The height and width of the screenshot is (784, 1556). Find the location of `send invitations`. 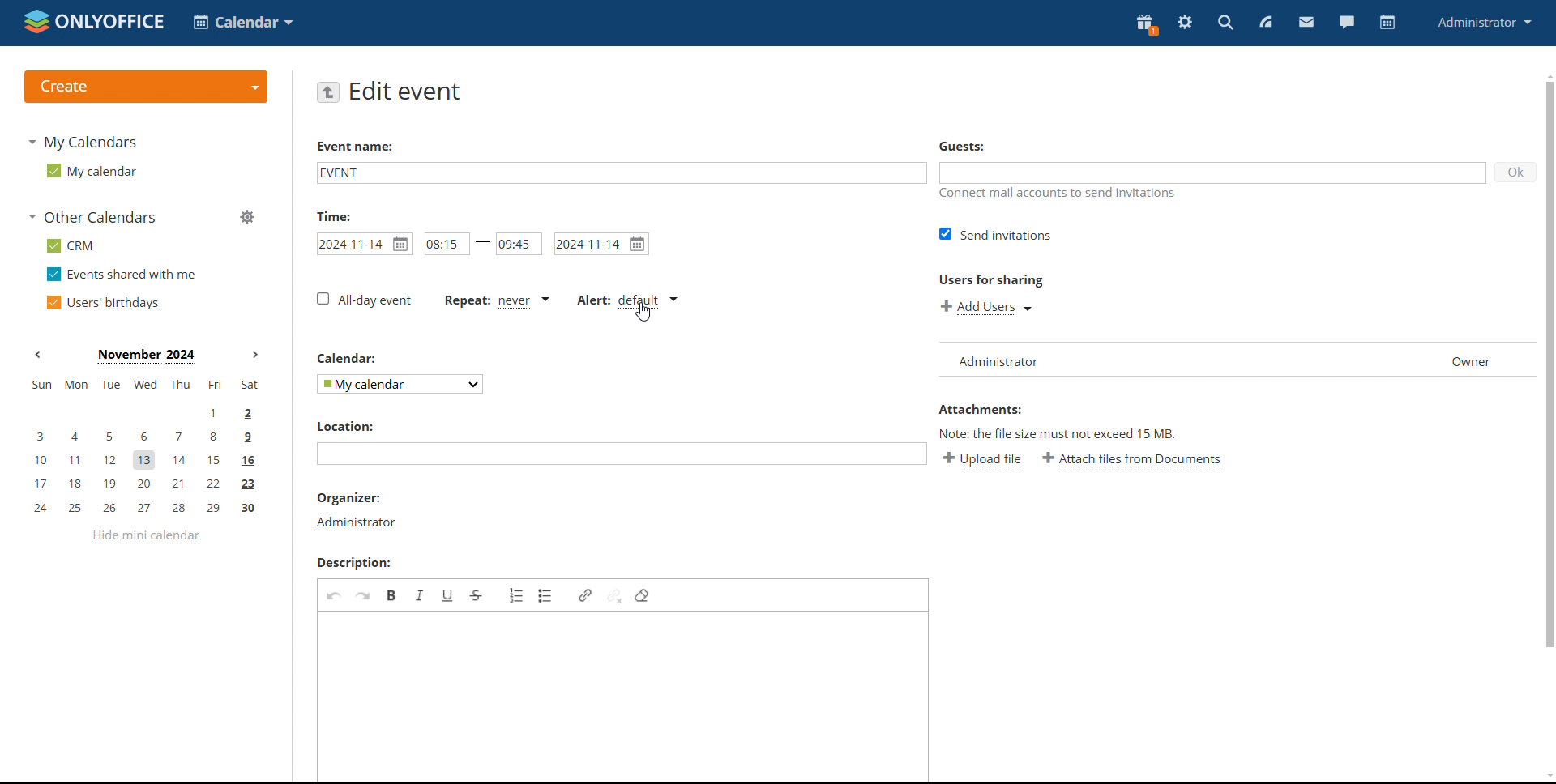

send invitations is located at coordinates (995, 233).